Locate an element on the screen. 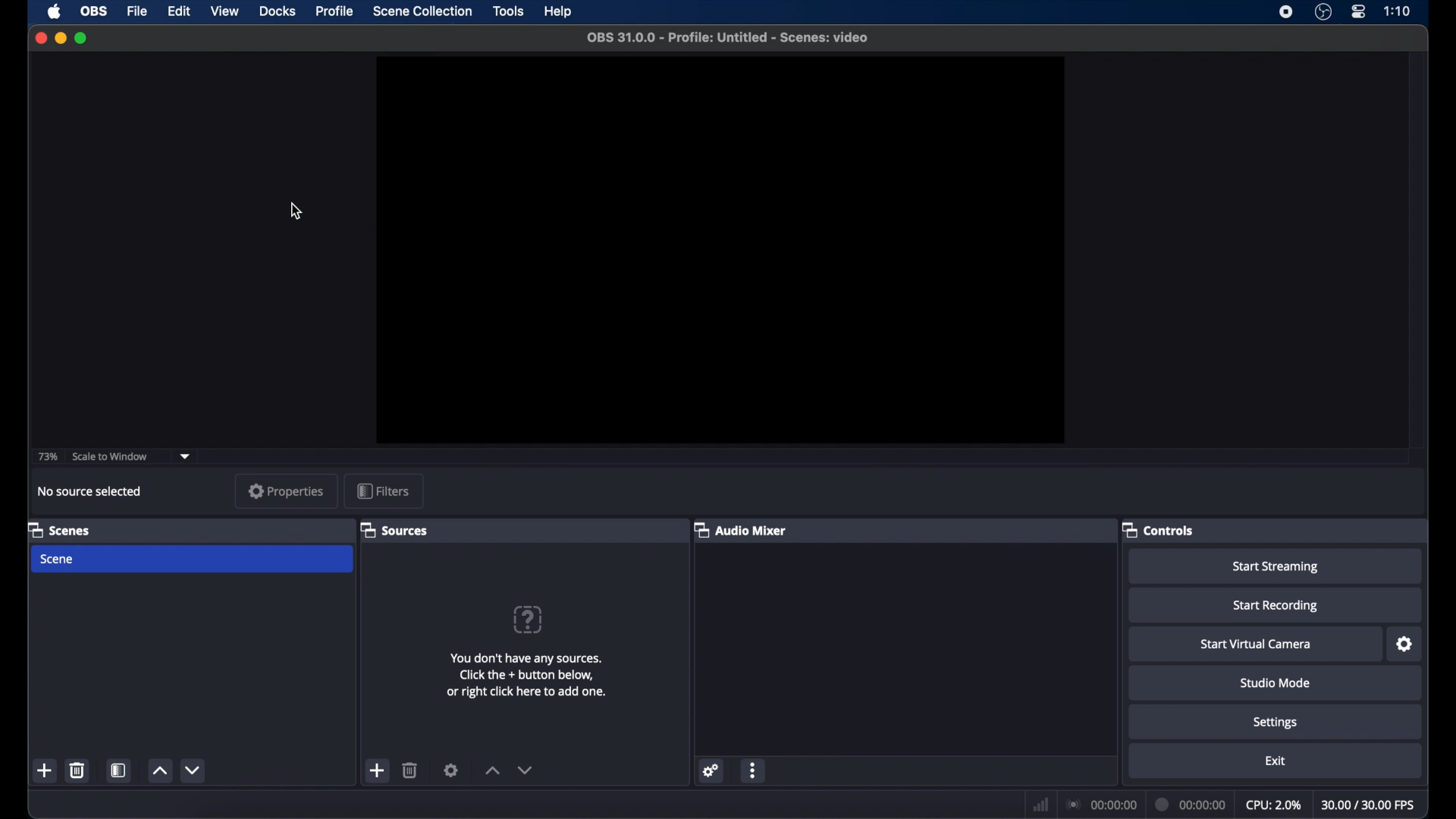  increment is located at coordinates (158, 771).